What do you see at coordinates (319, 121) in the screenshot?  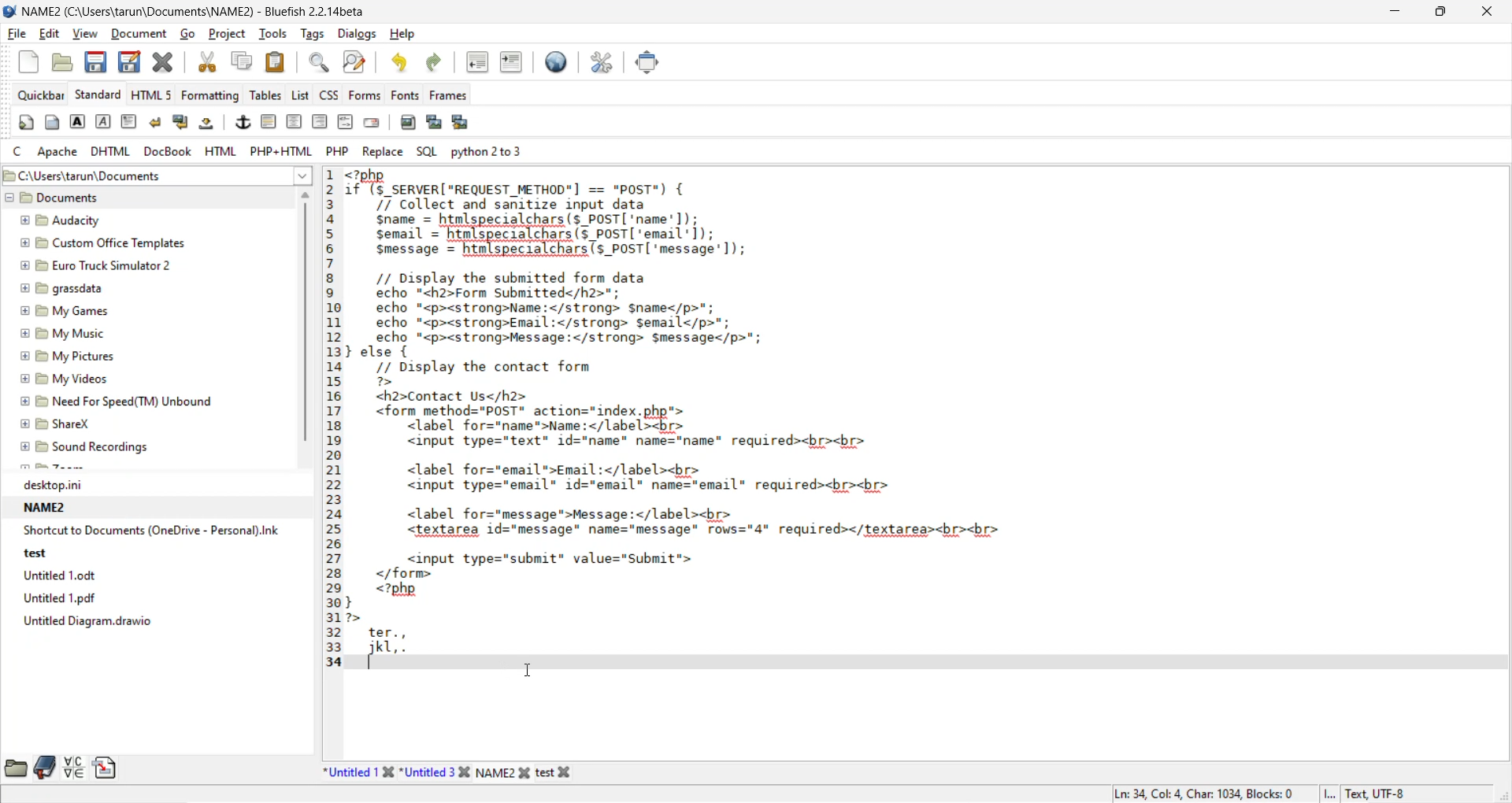 I see `right justify` at bounding box center [319, 121].